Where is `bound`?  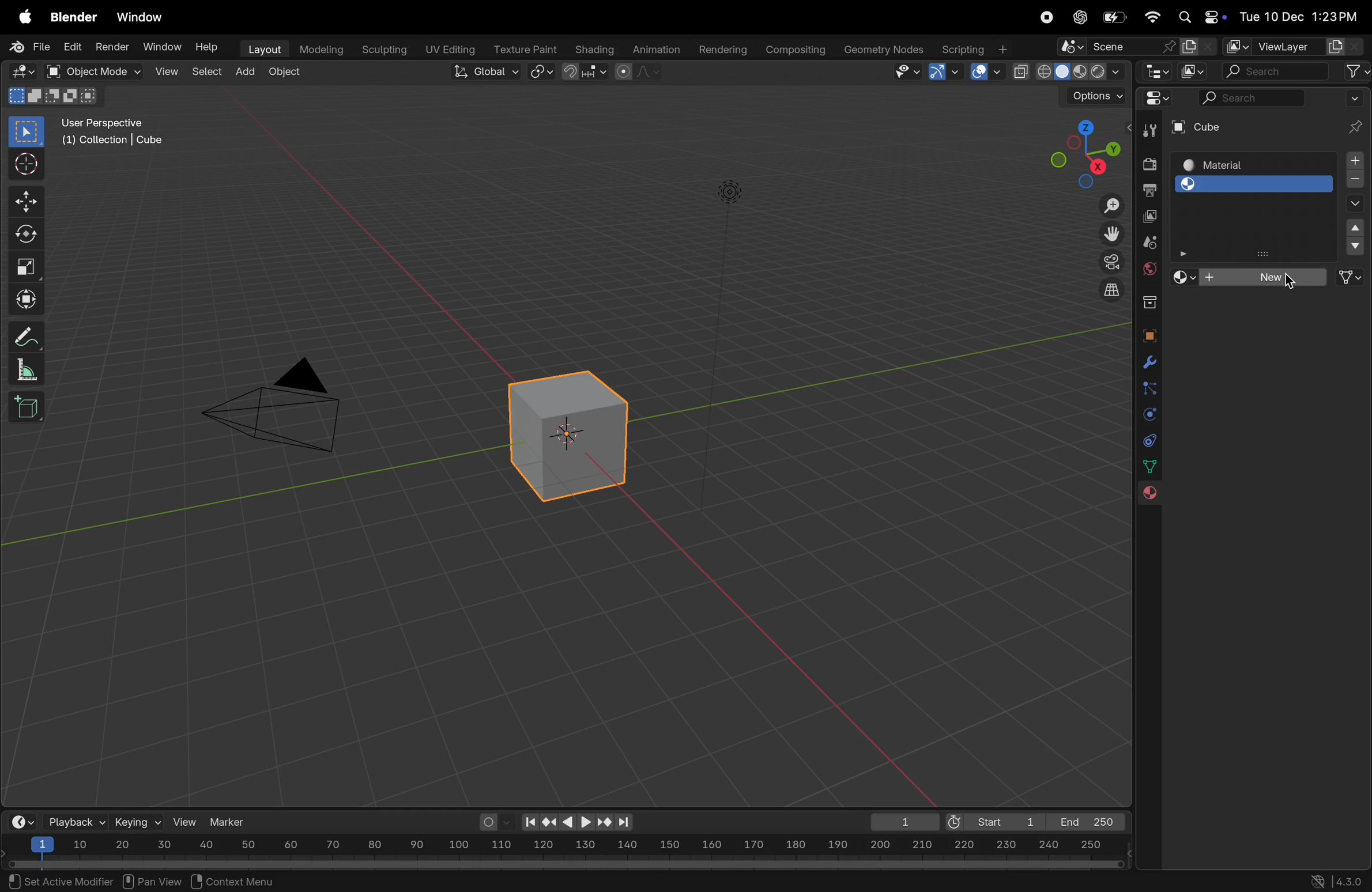 bound is located at coordinates (1149, 387).